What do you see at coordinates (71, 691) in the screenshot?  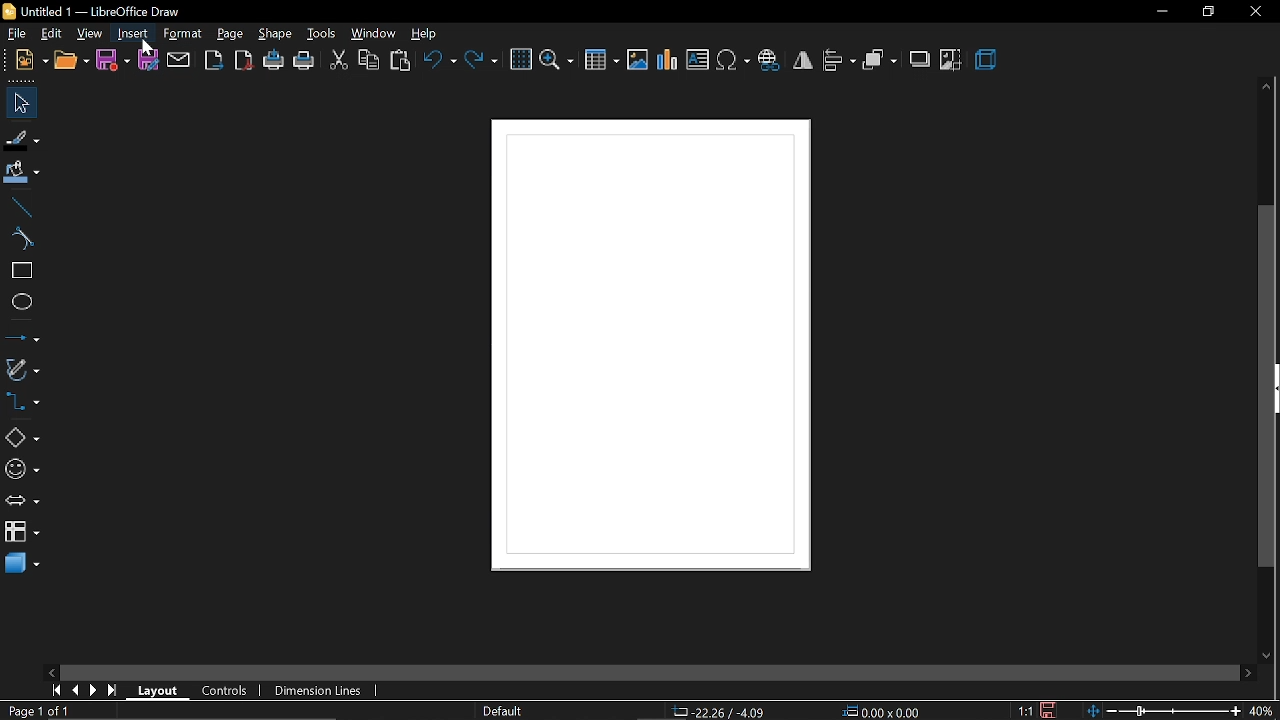 I see `previous page` at bounding box center [71, 691].